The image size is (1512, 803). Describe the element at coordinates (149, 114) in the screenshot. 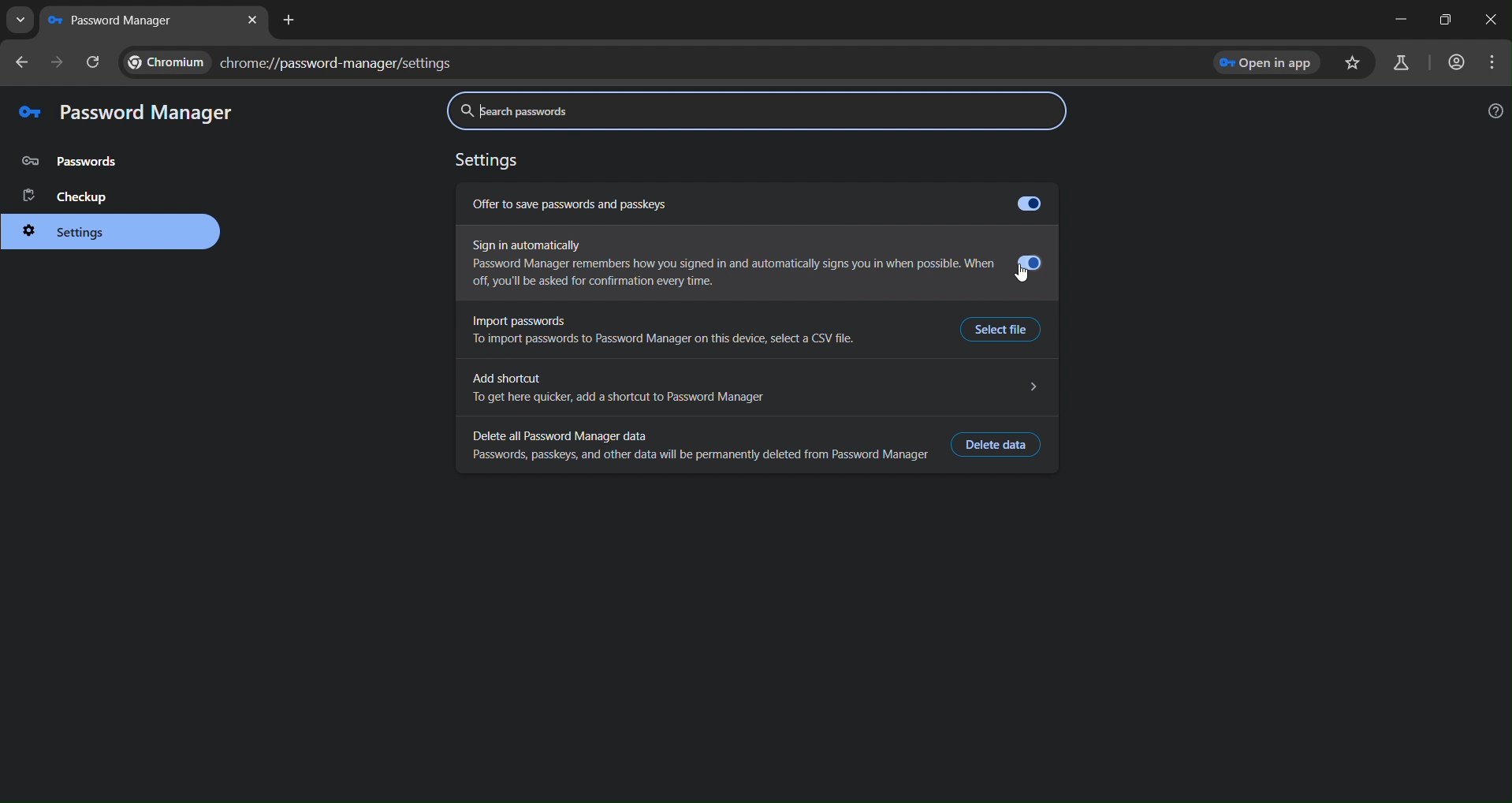

I see `password manager` at that location.